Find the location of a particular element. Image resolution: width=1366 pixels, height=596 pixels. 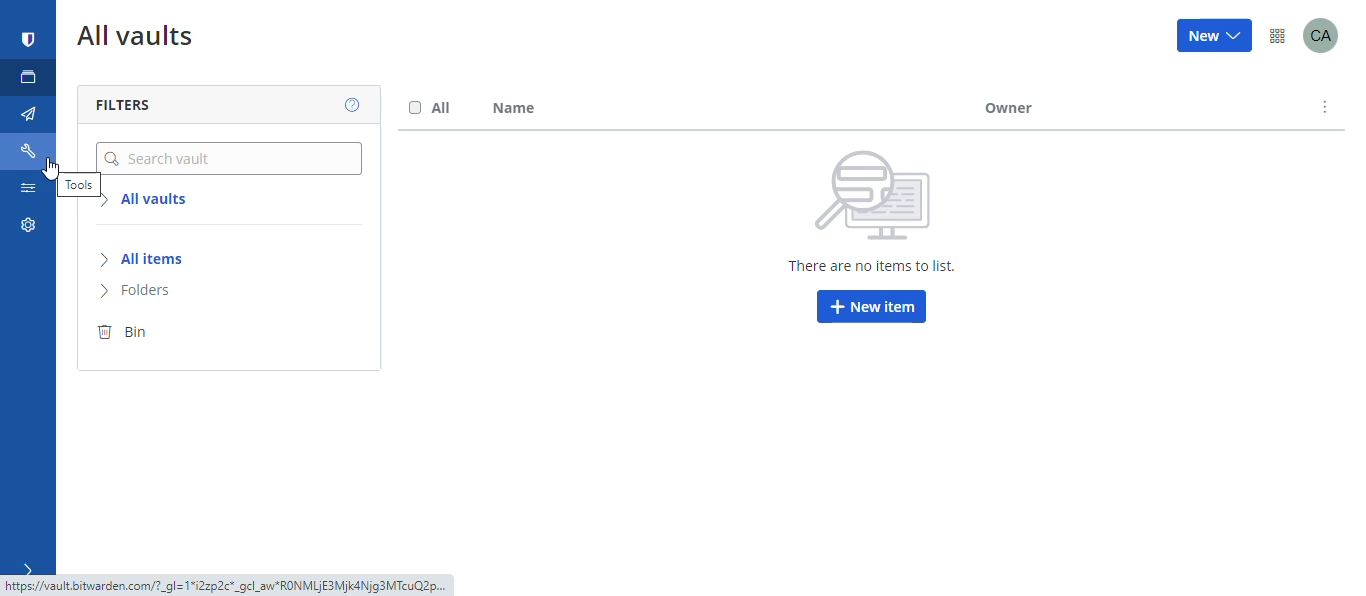

profile picture is located at coordinates (1328, 34).